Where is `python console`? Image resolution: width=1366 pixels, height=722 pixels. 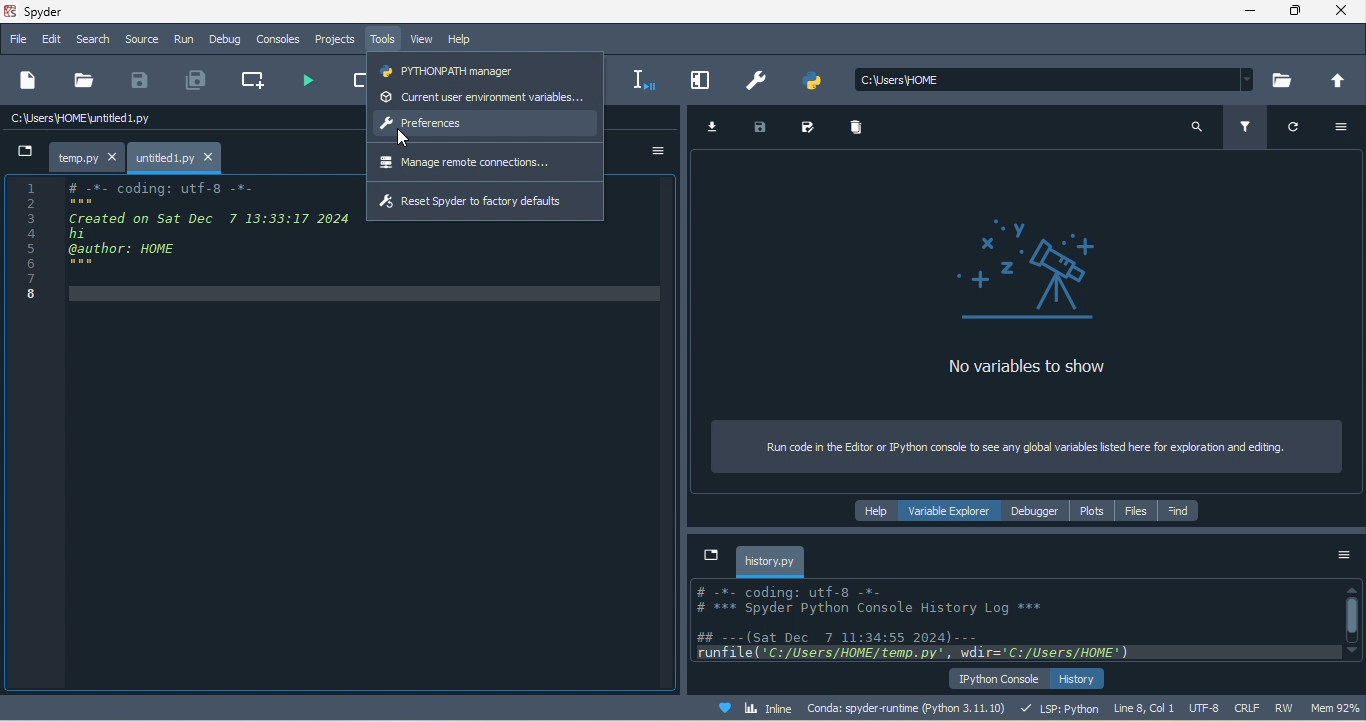 python console is located at coordinates (996, 679).